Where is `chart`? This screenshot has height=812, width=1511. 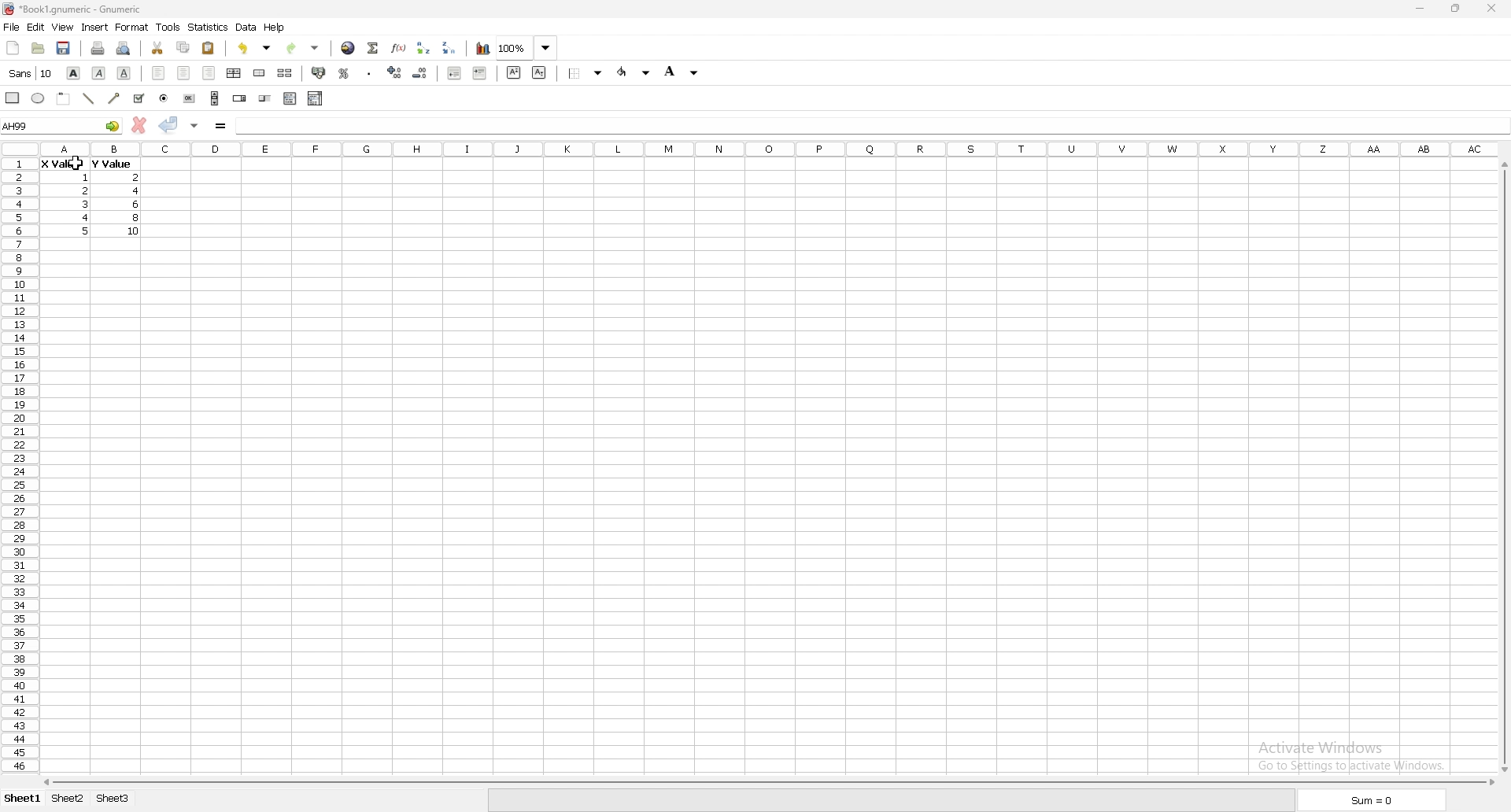 chart is located at coordinates (483, 48).